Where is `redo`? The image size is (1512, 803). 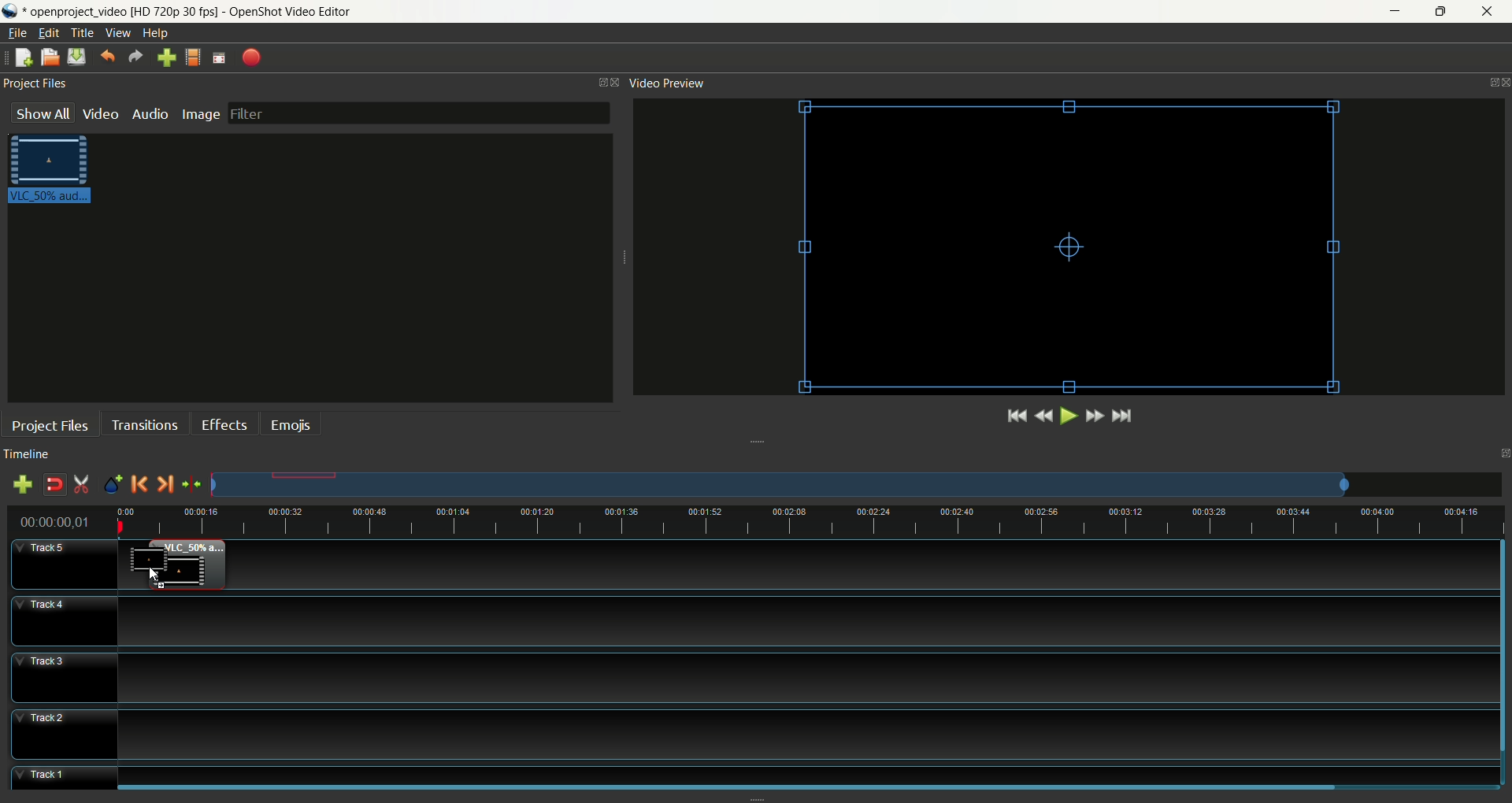 redo is located at coordinates (138, 57).